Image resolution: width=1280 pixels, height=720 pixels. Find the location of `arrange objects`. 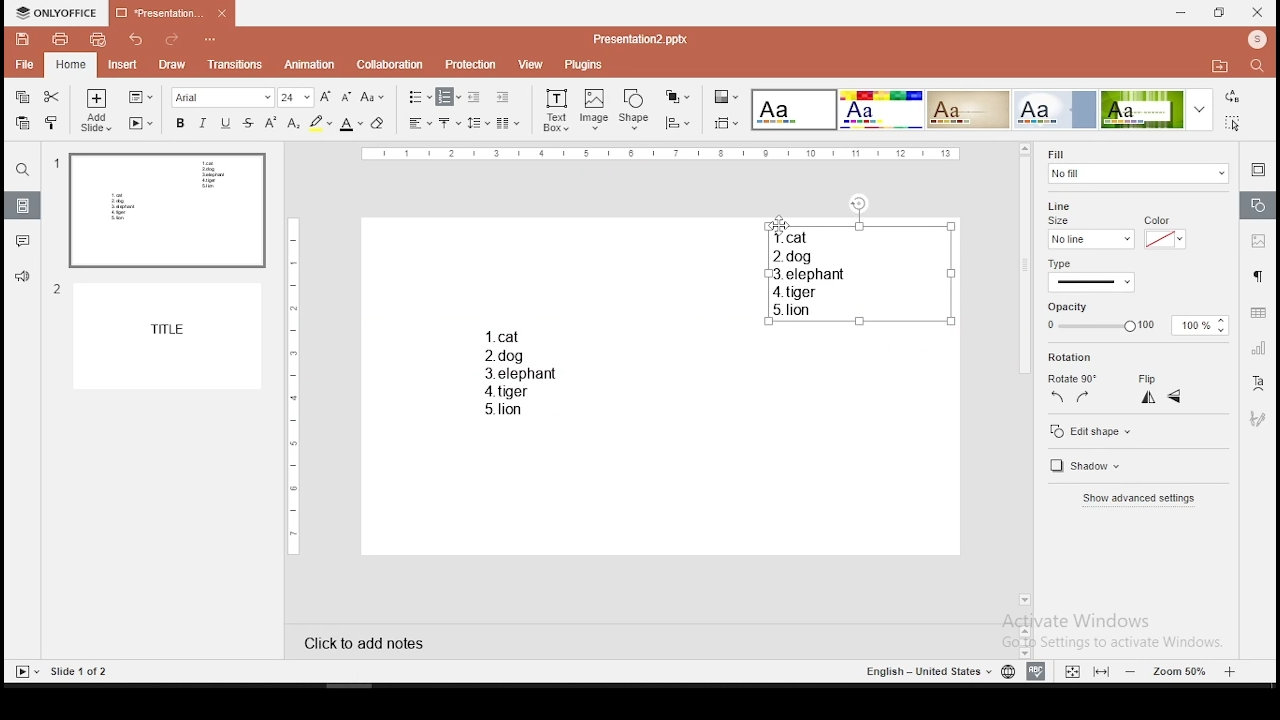

arrange objects is located at coordinates (677, 98).